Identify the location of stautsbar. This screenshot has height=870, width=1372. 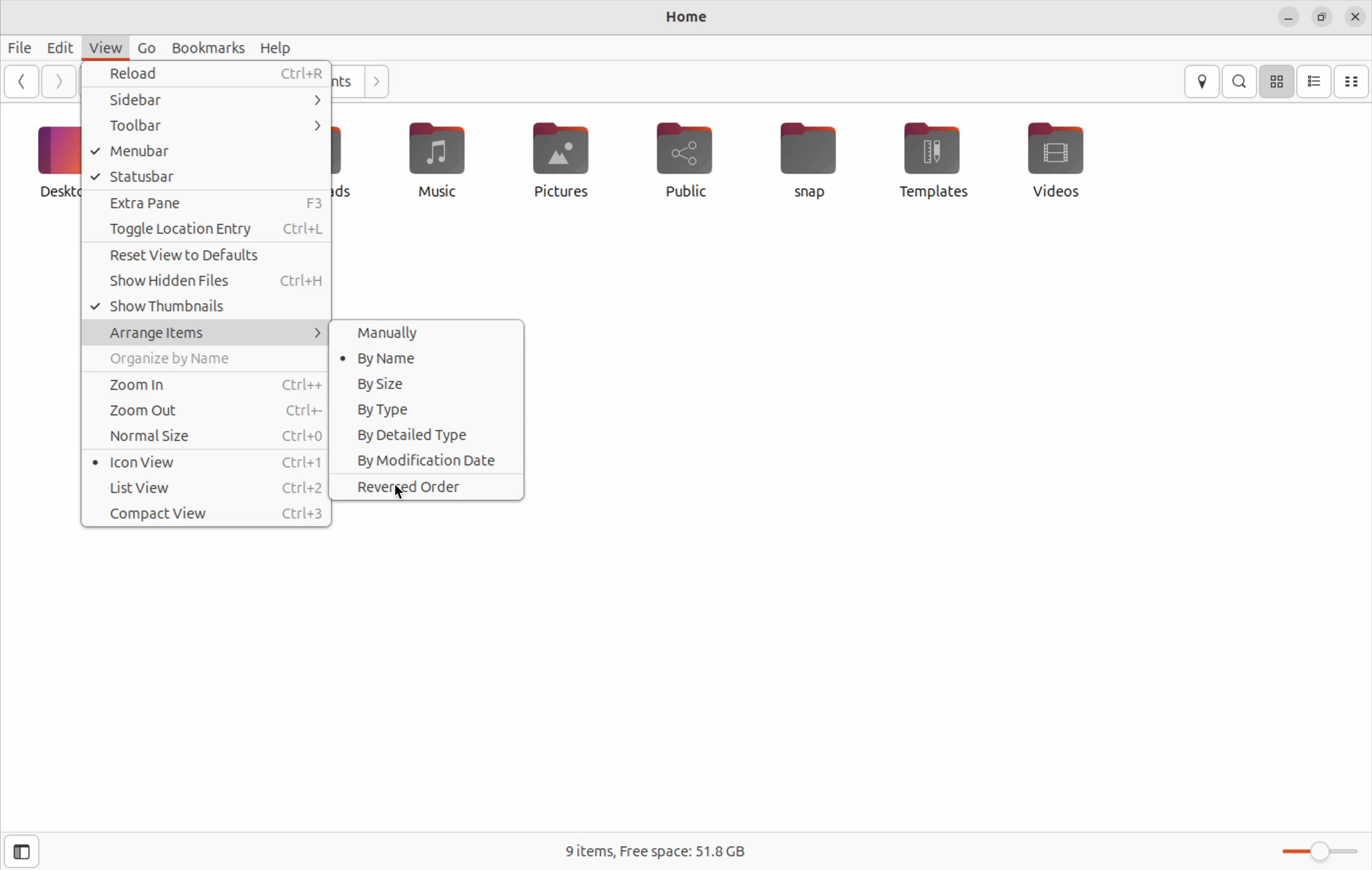
(206, 177).